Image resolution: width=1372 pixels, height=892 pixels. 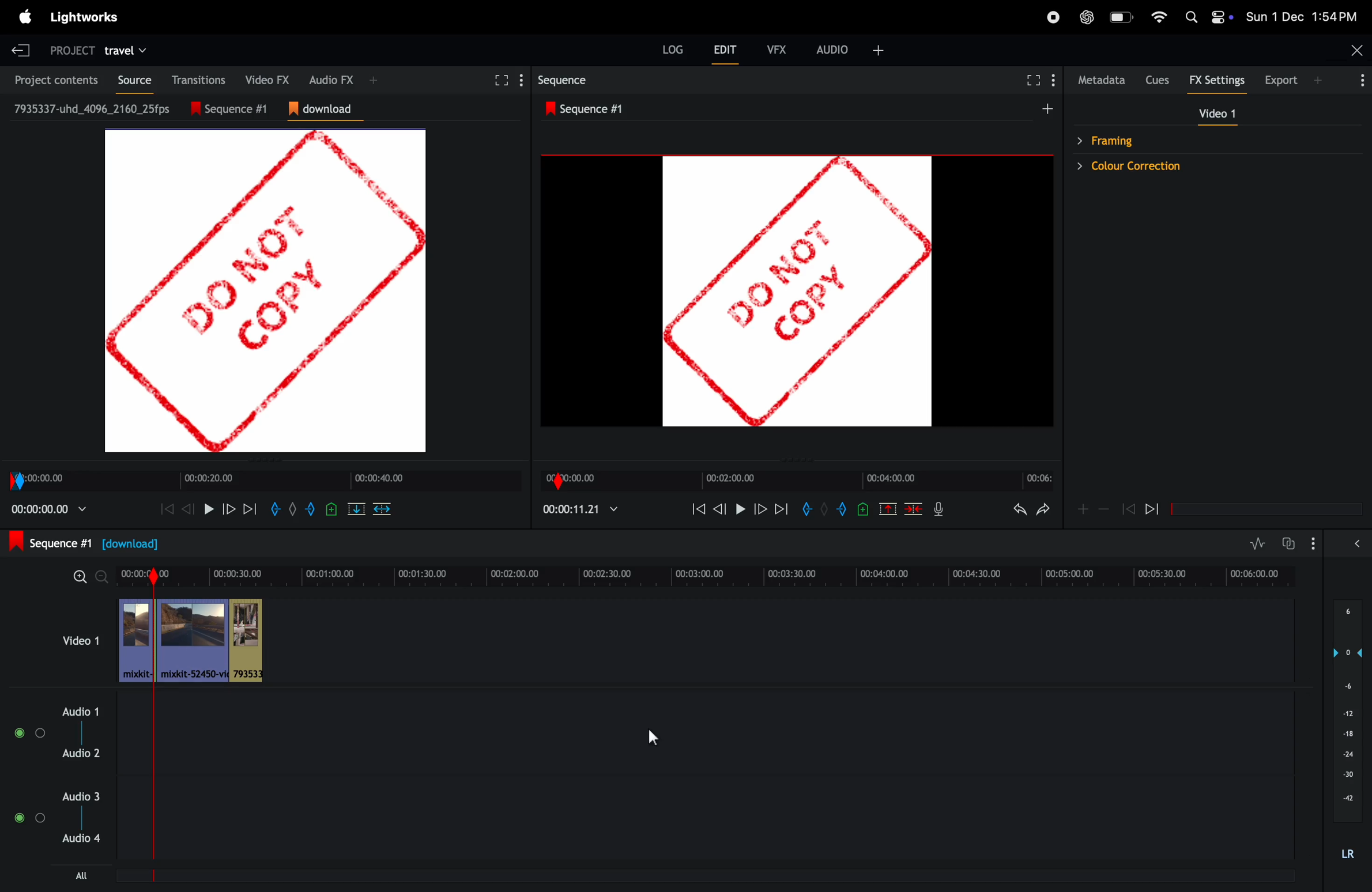 What do you see at coordinates (186, 509) in the screenshot?
I see `rewind` at bounding box center [186, 509].